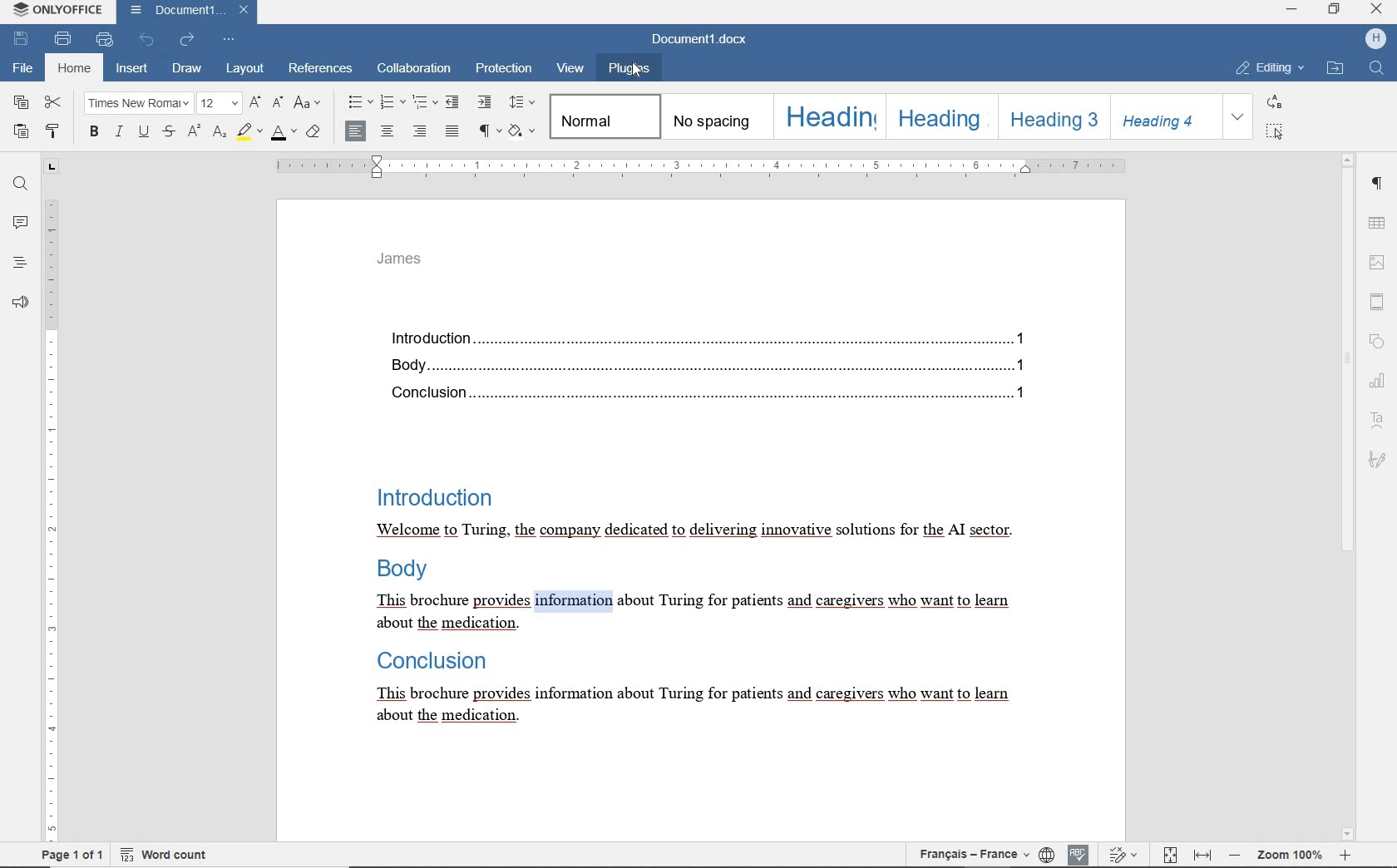 This screenshot has height=868, width=1397. I want to click on INSERT, so click(132, 69).